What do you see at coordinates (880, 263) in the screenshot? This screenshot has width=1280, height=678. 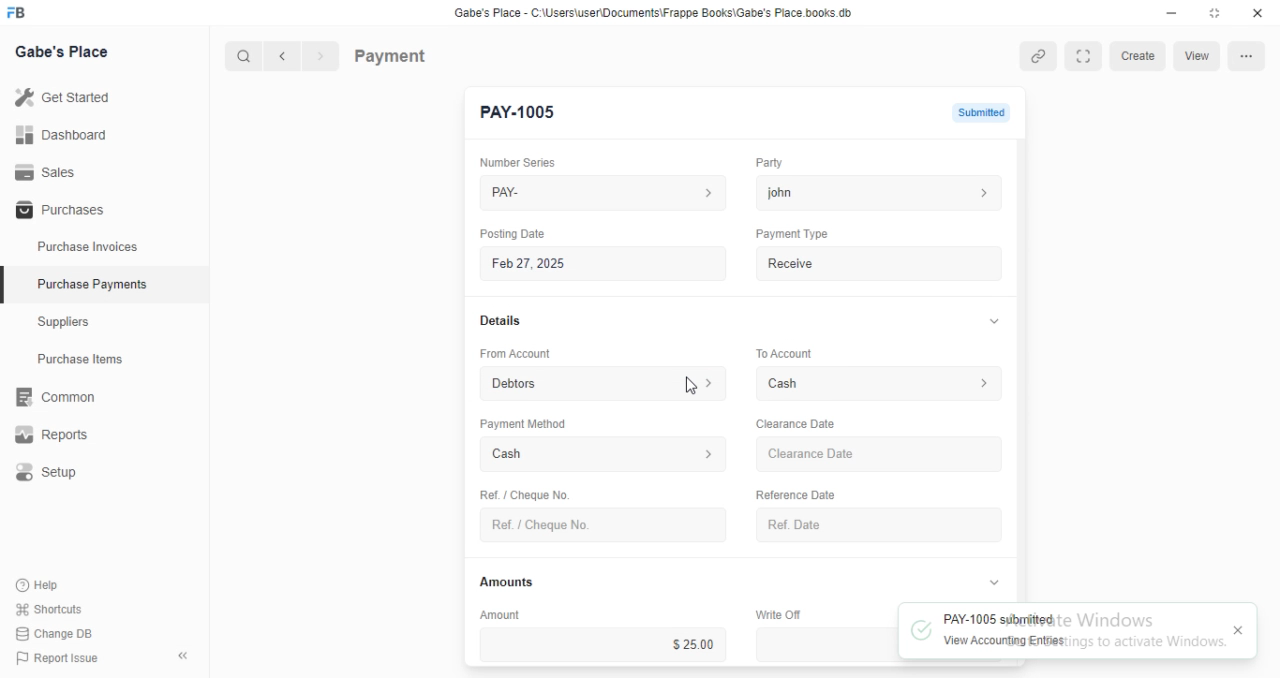 I see `Receive` at bounding box center [880, 263].